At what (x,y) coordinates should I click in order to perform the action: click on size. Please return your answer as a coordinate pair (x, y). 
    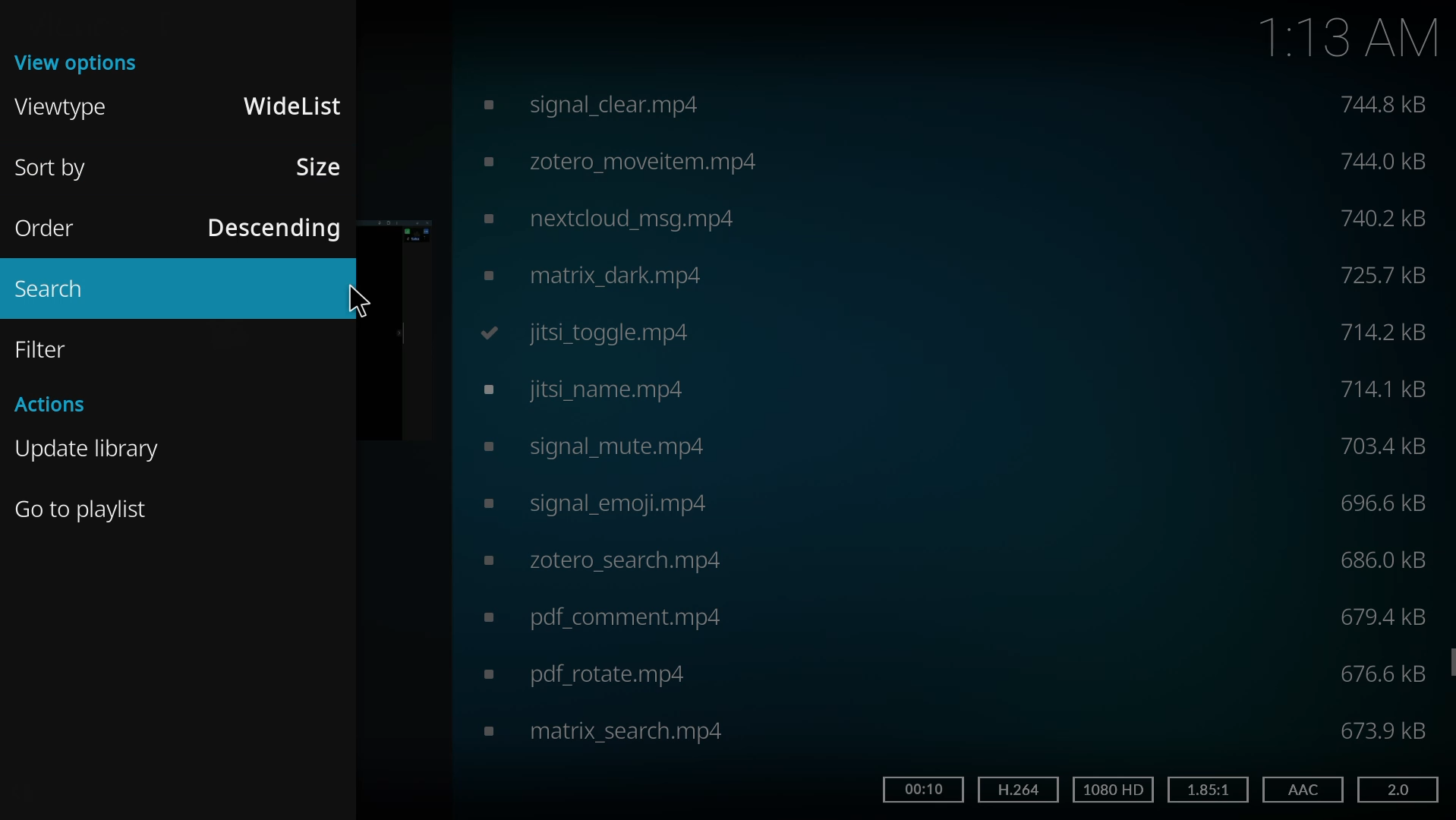
    Looking at the image, I should click on (1382, 216).